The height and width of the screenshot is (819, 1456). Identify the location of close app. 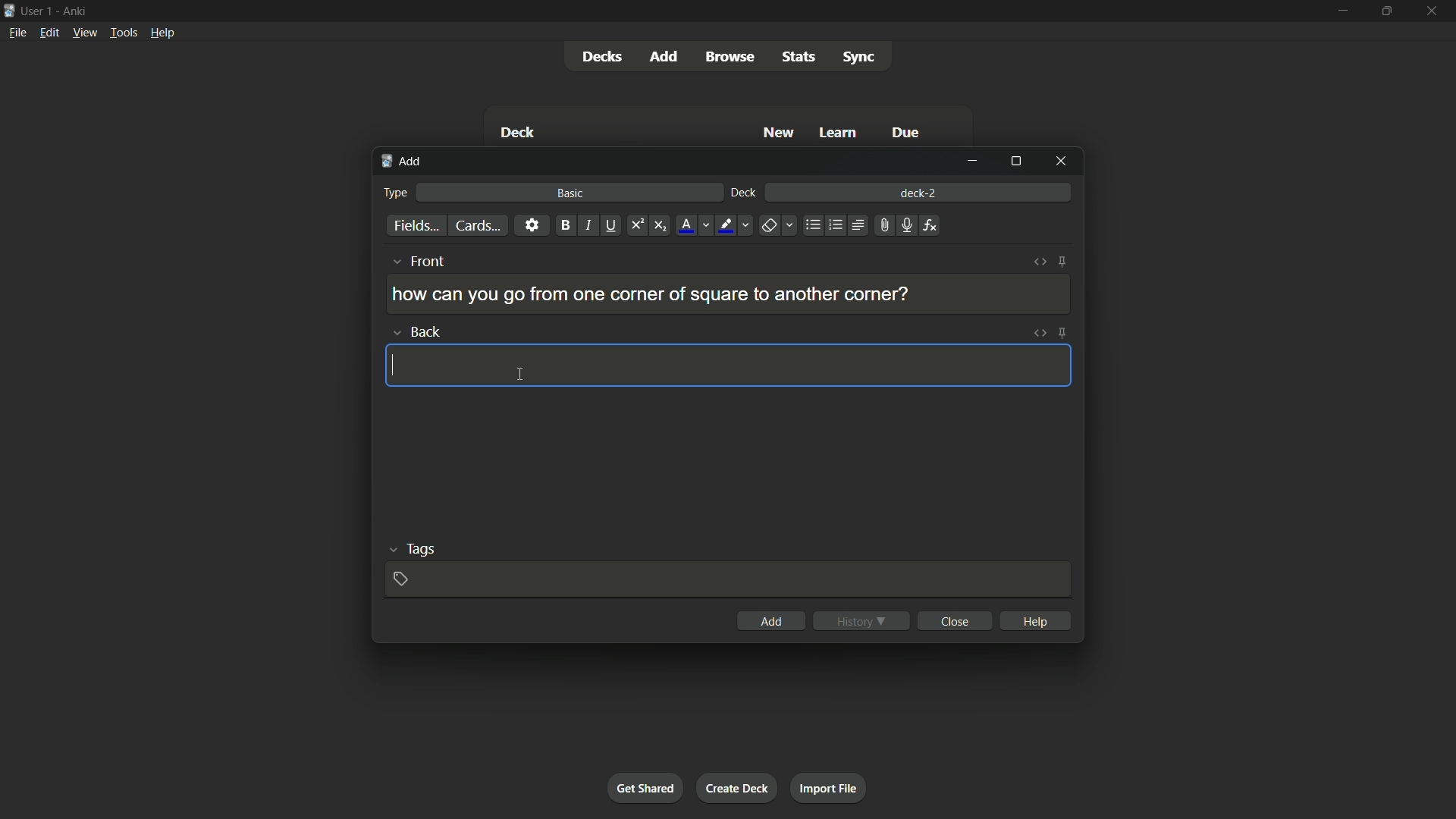
(1432, 11).